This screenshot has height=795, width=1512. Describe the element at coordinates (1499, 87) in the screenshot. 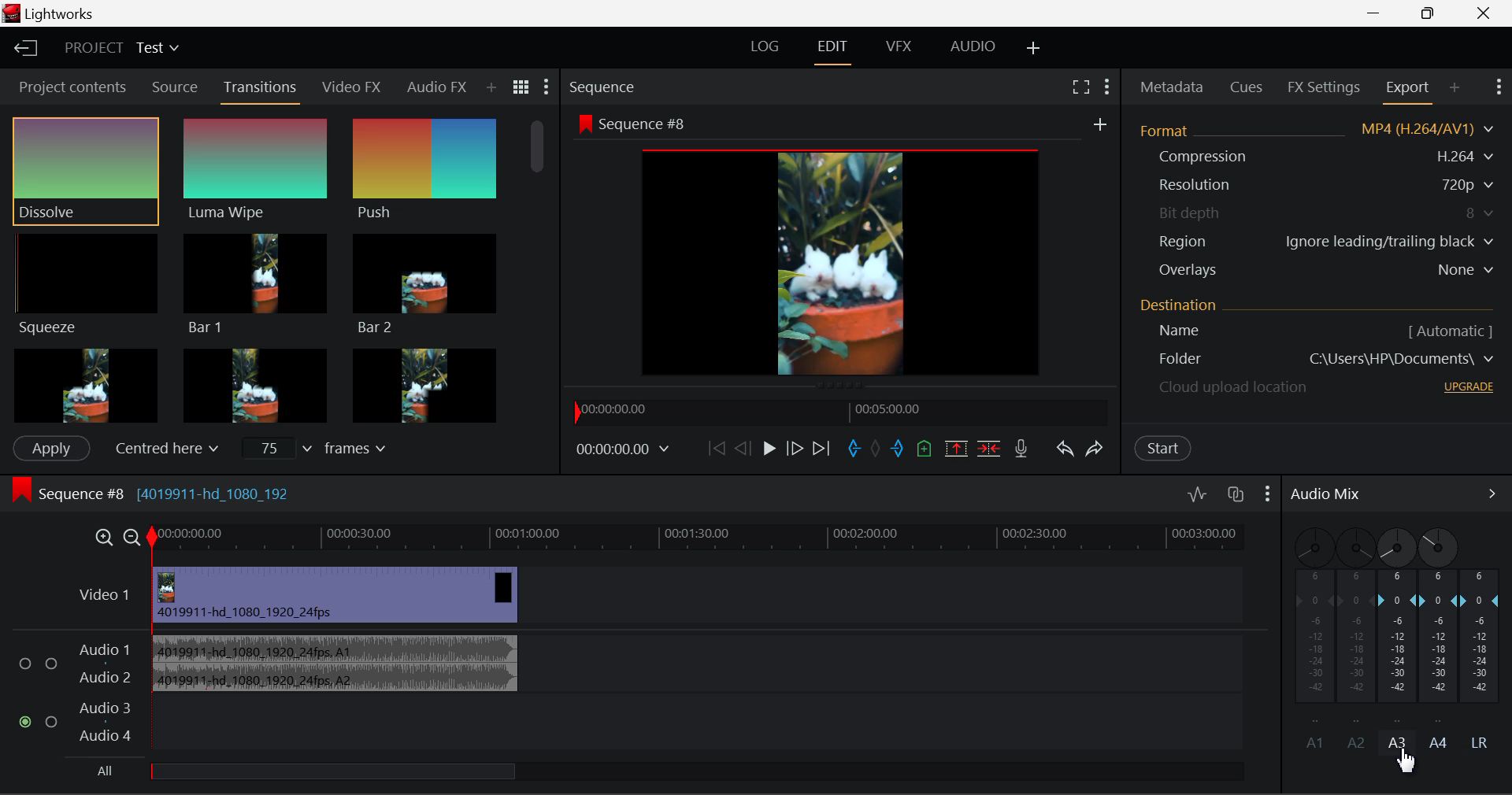

I see `Show Settings` at that location.